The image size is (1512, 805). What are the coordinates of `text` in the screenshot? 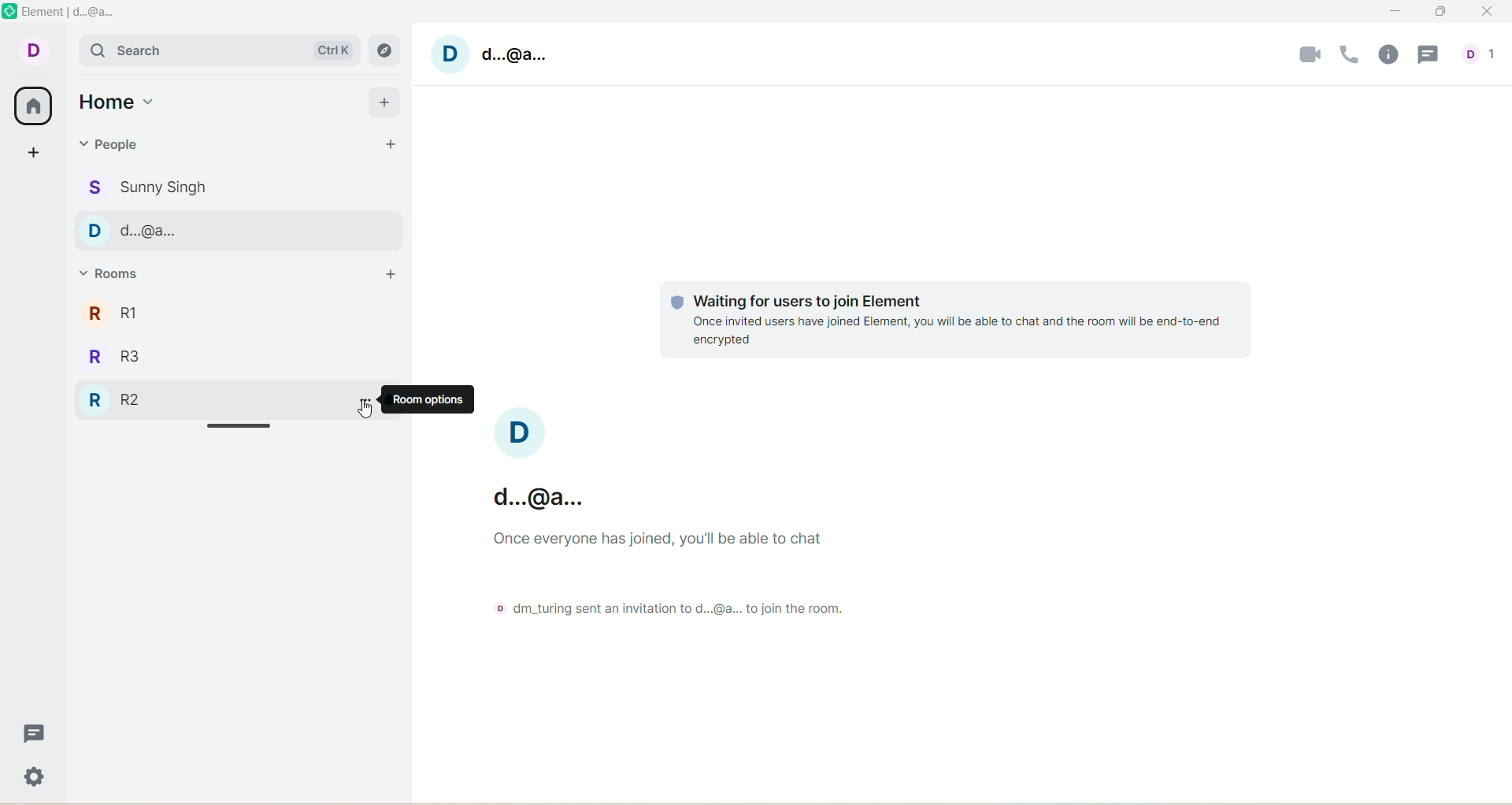 It's located at (676, 578).